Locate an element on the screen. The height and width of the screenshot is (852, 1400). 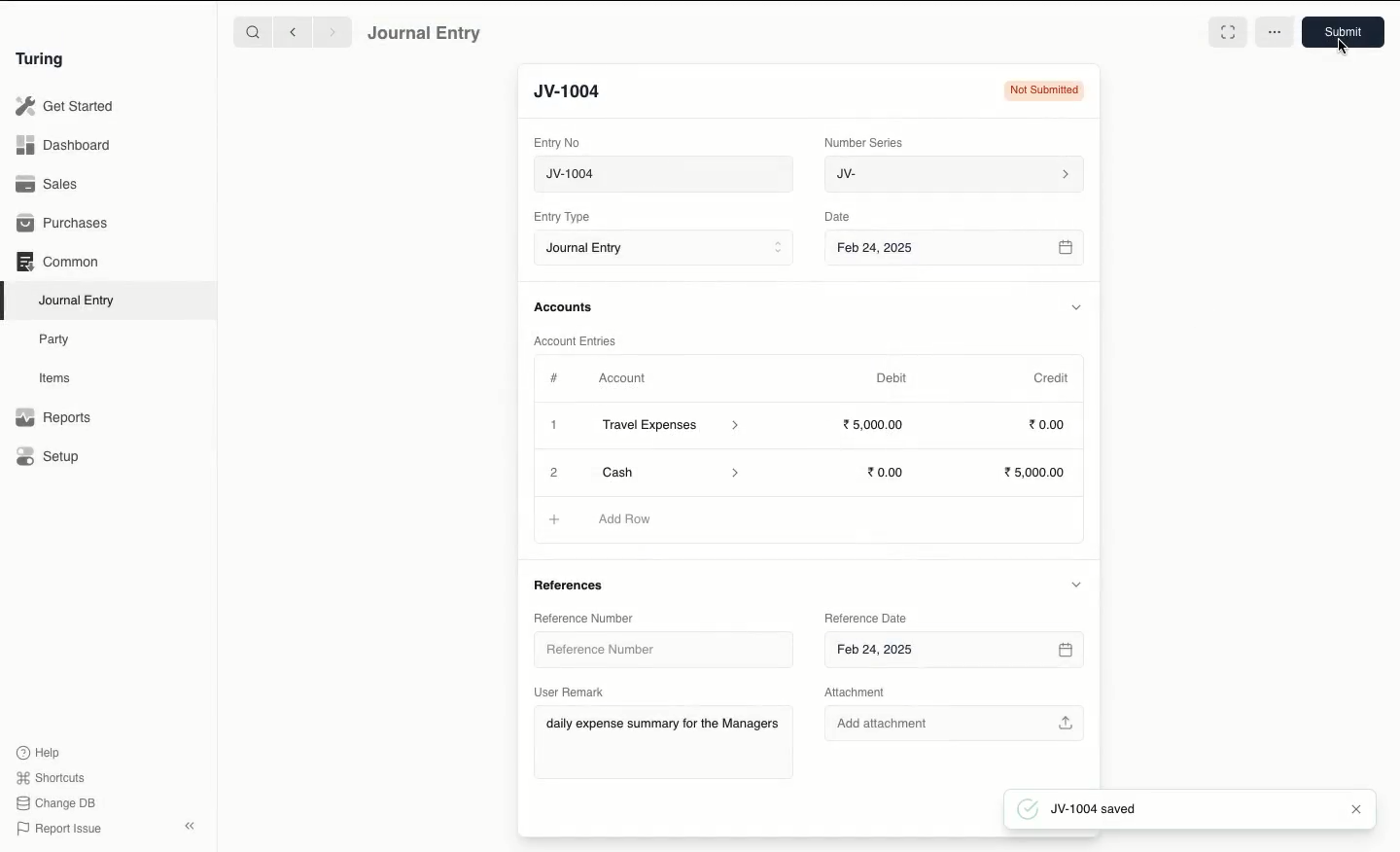
User Remark is located at coordinates (570, 692).